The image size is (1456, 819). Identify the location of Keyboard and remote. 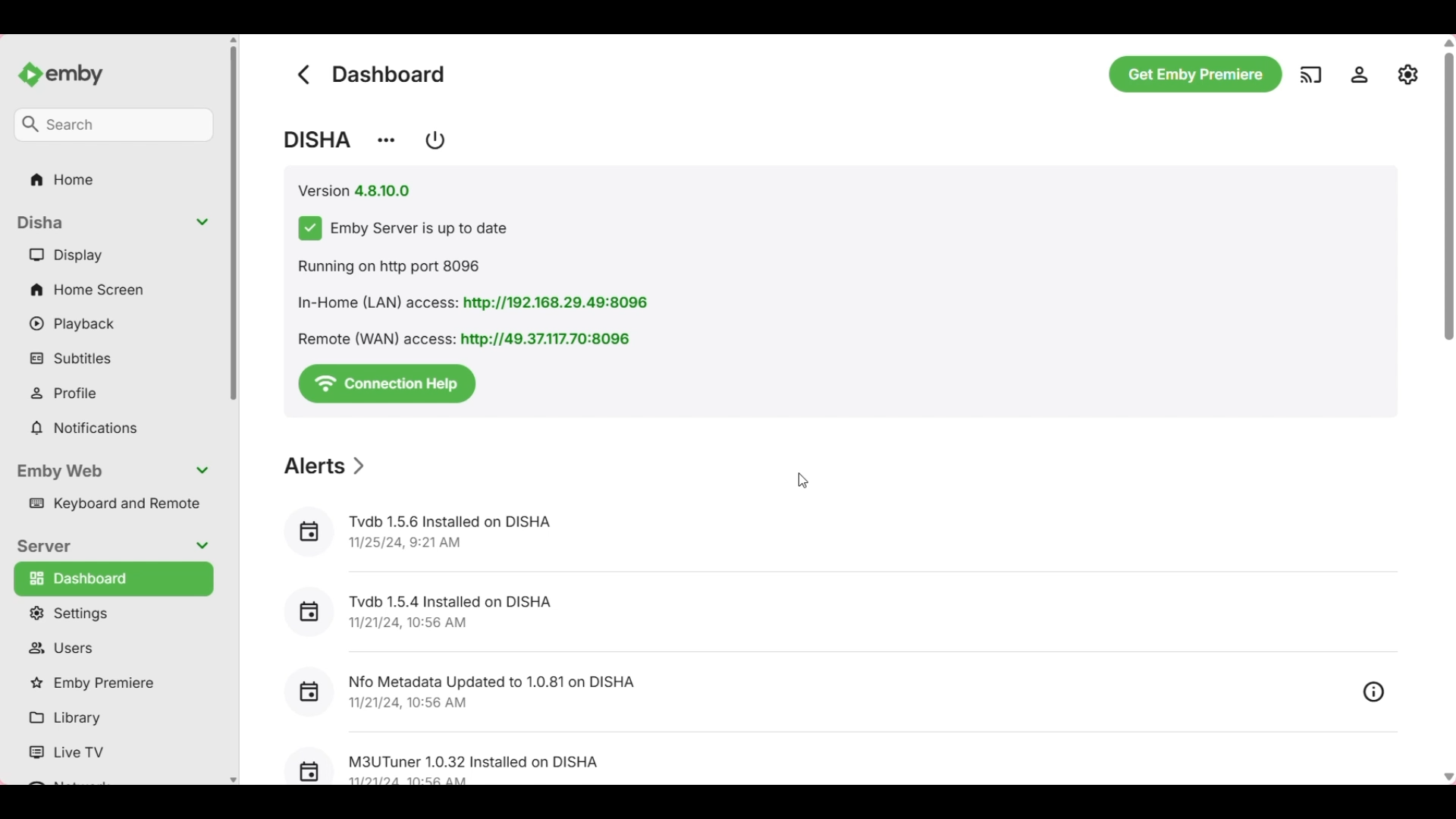
(111, 504).